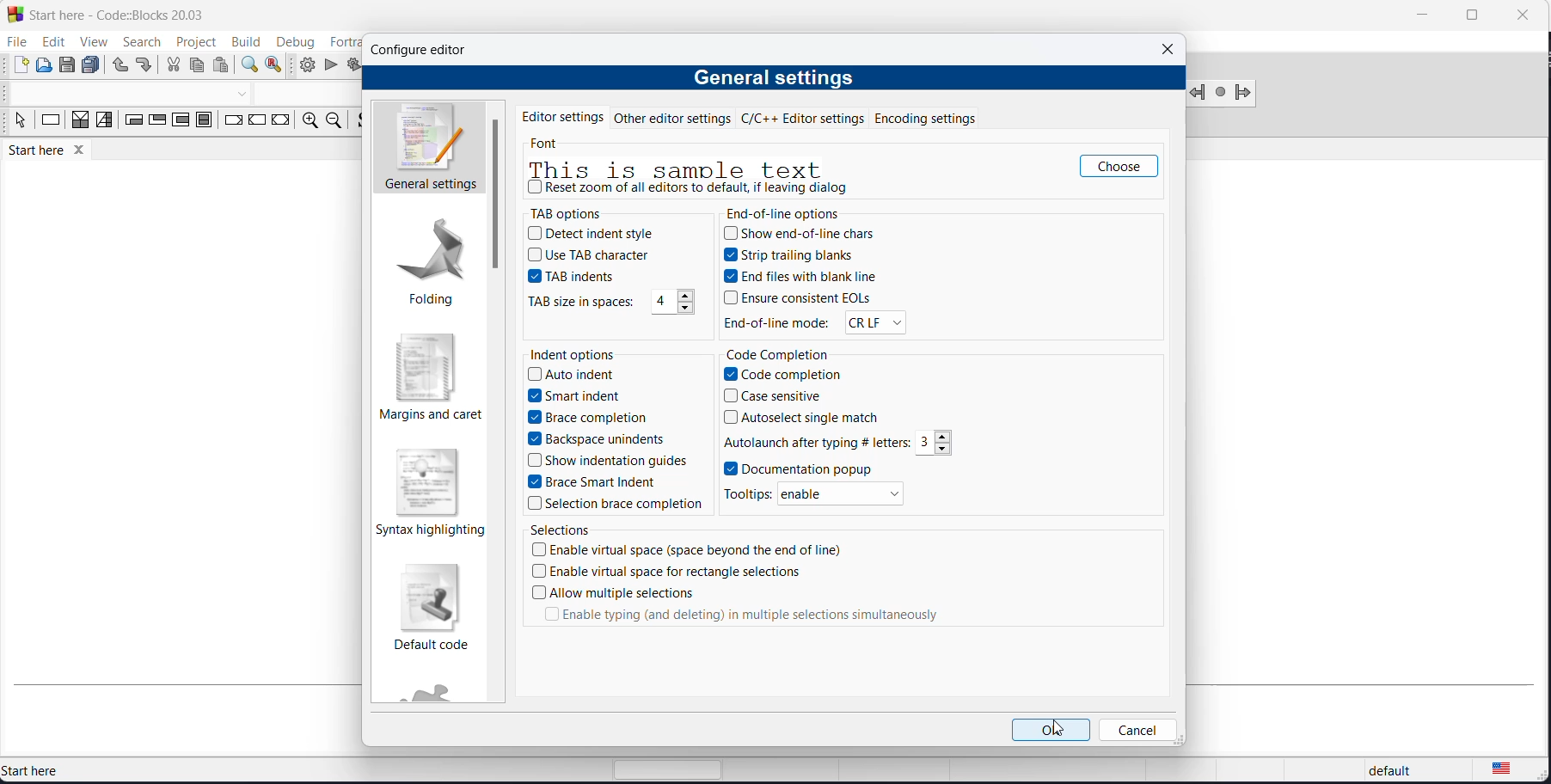 This screenshot has width=1551, height=784. What do you see at coordinates (352, 66) in the screenshot?
I see `build and run` at bounding box center [352, 66].